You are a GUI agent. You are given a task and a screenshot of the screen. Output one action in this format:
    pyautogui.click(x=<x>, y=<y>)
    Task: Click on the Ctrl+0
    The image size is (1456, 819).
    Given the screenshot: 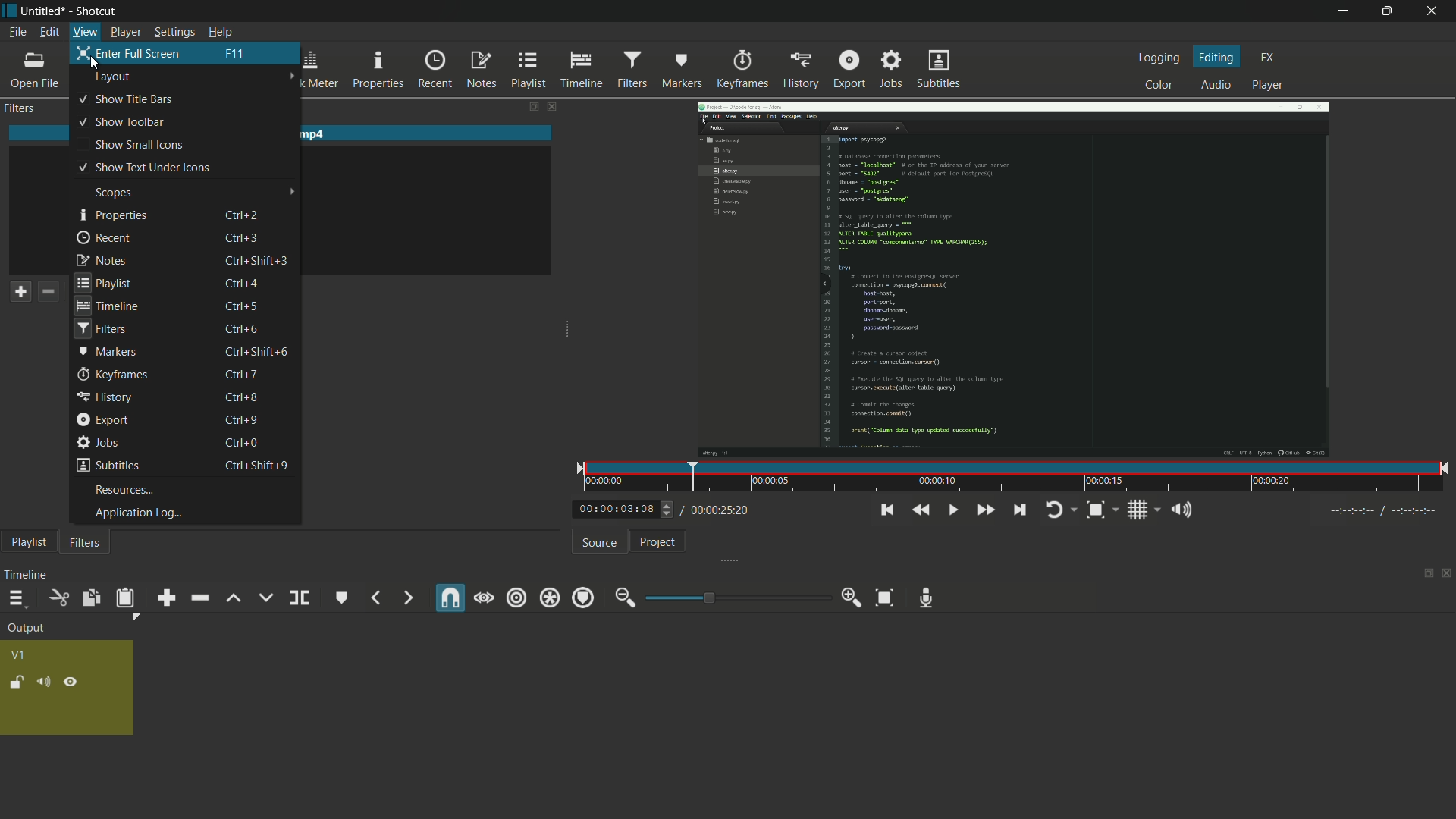 What is the action you would take?
    pyautogui.click(x=246, y=442)
    